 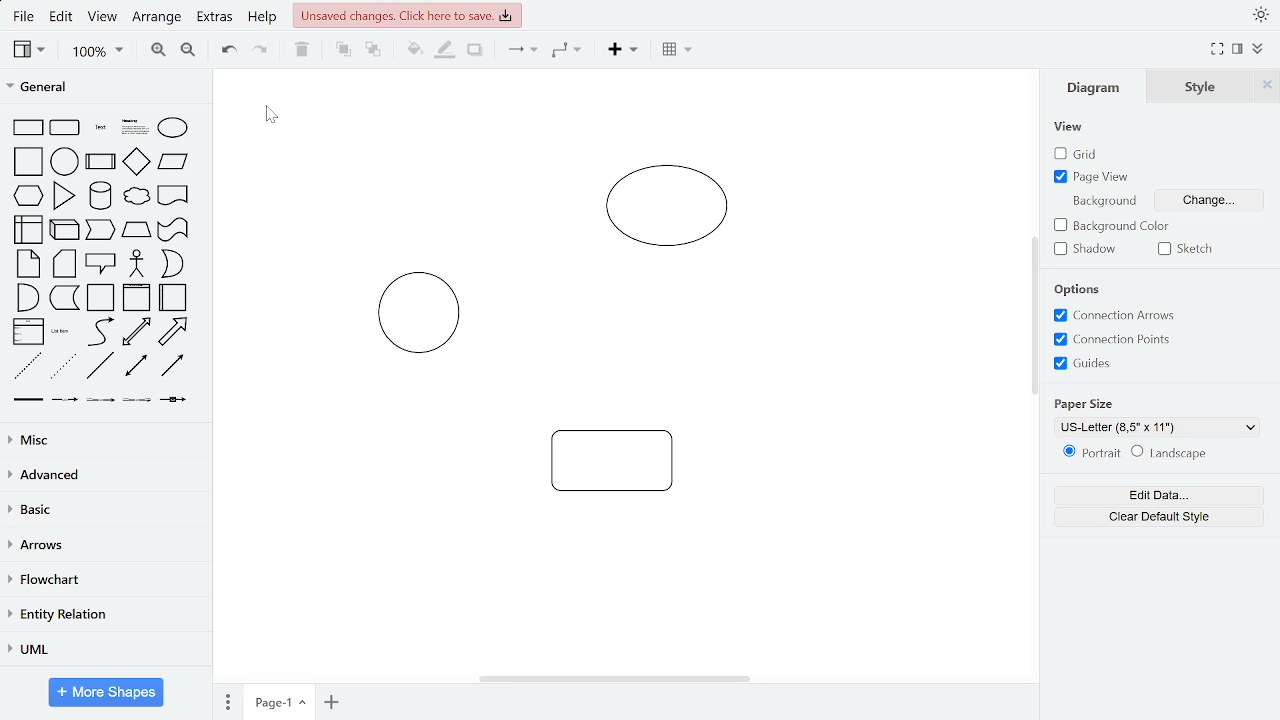 I want to click on waypoints, so click(x=567, y=52).